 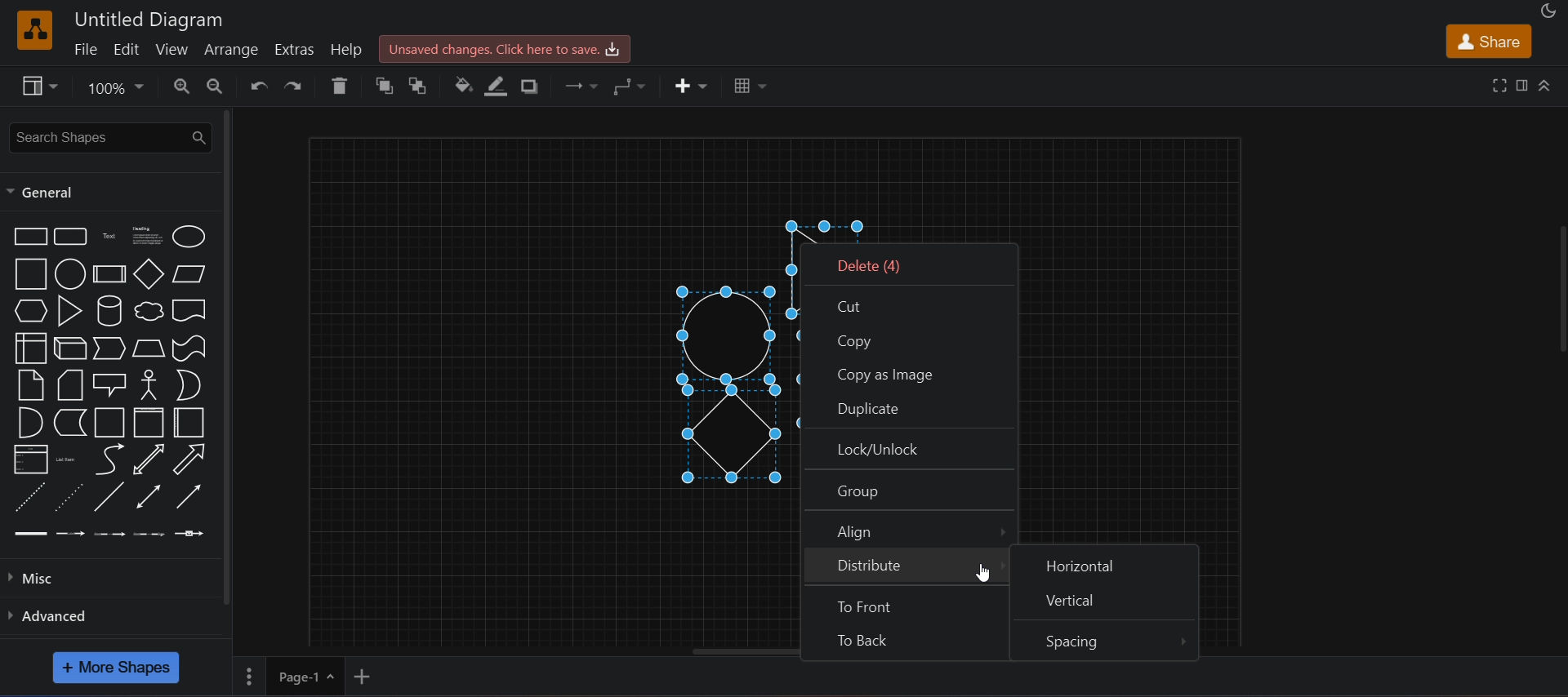 I want to click on step, so click(x=109, y=348).